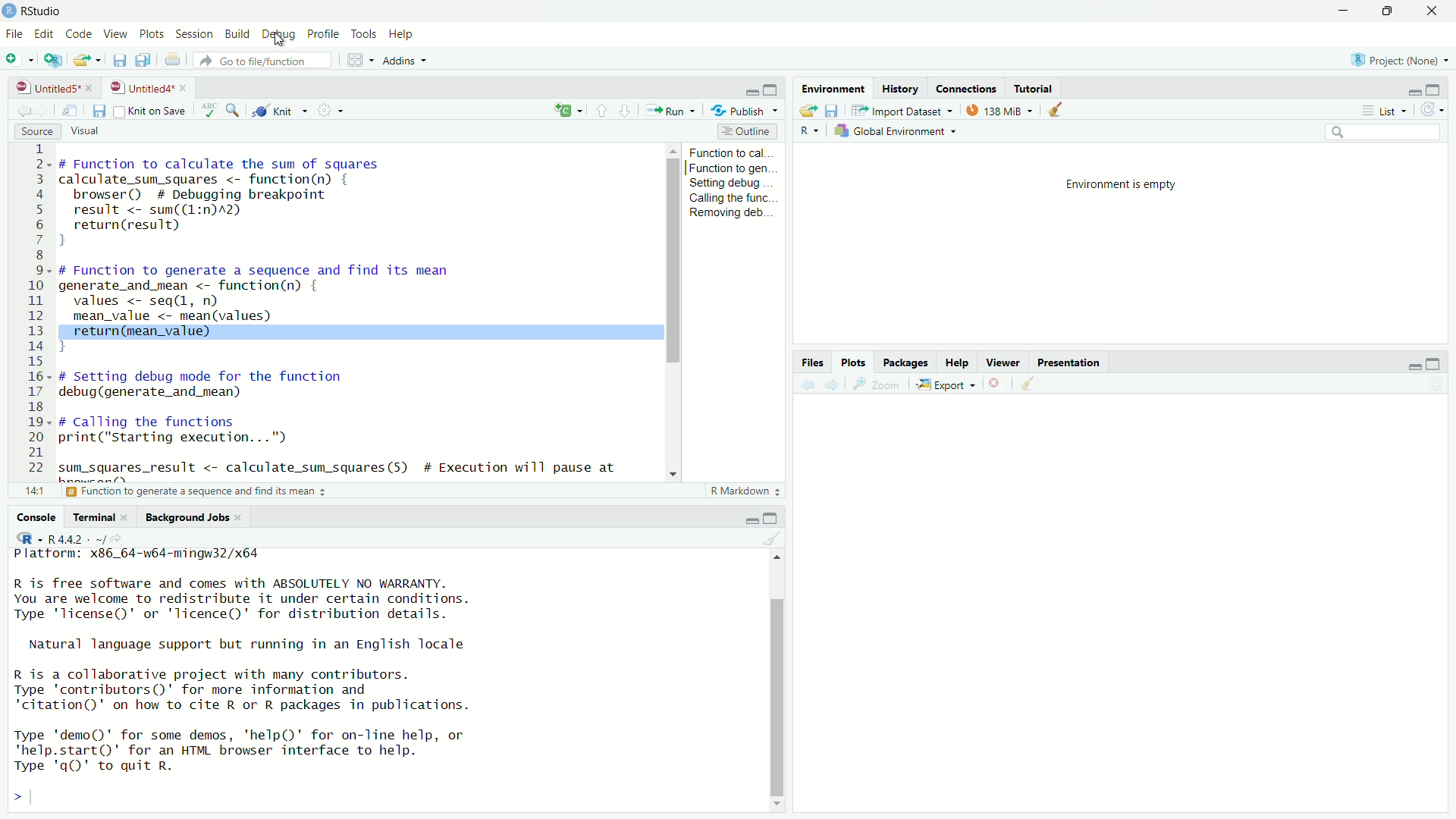 This screenshot has width=1456, height=819. I want to click on move down, so click(672, 472).